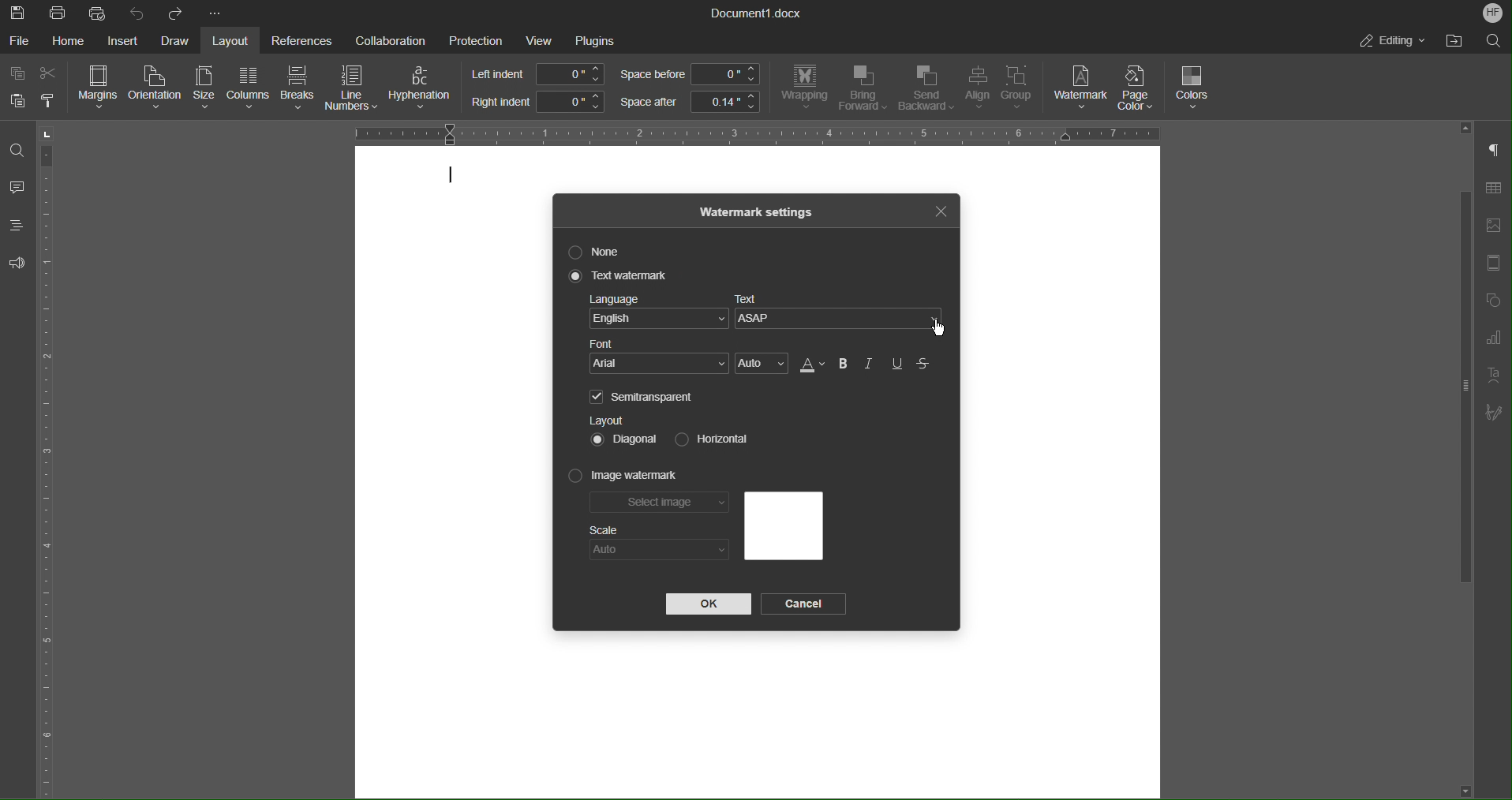  Describe the element at coordinates (476, 39) in the screenshot. I see `Protection` at that location.